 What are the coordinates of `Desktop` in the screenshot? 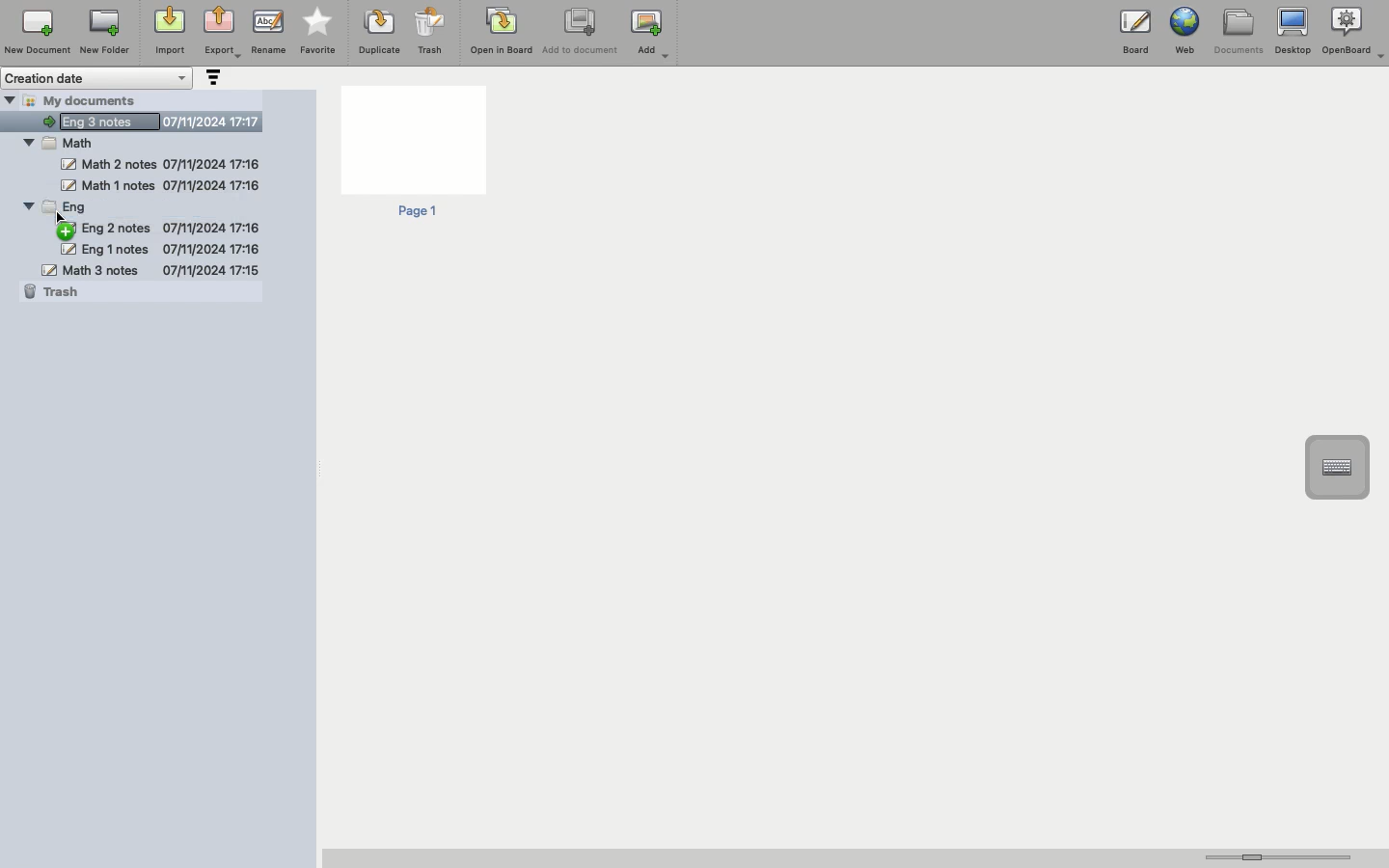 It's located at (1293, 32).